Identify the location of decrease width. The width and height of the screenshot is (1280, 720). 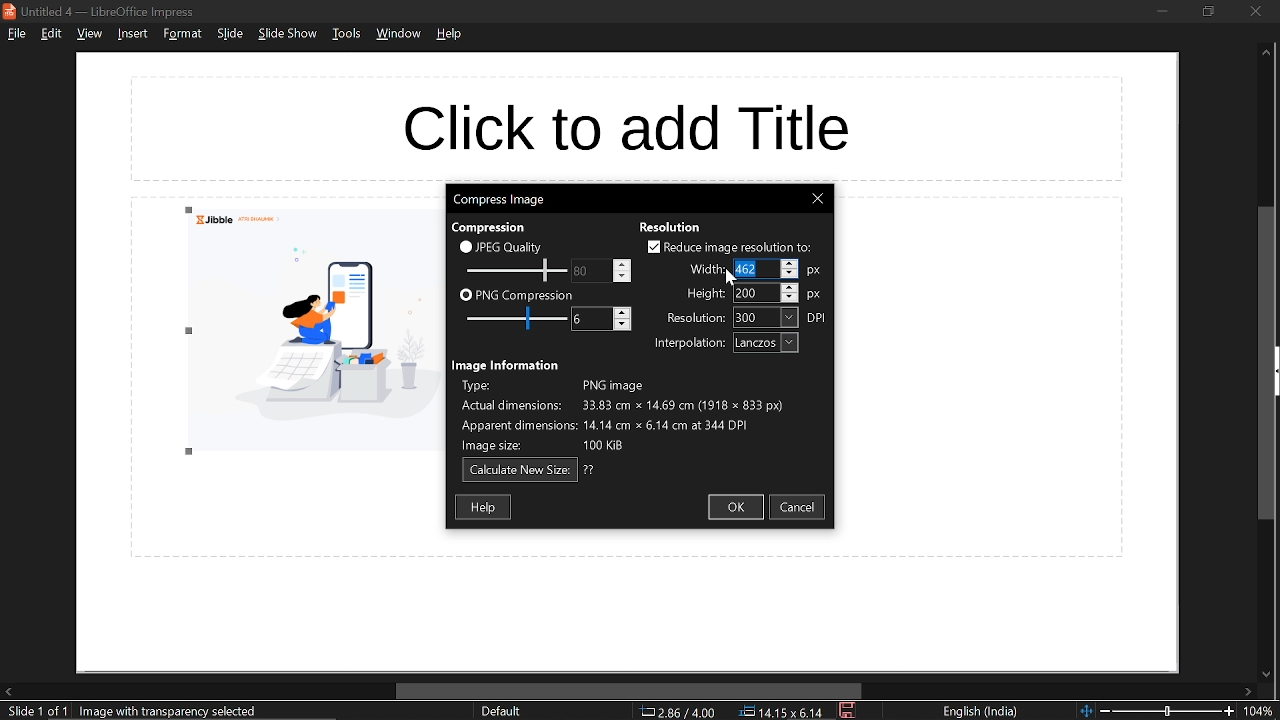
(790, 274).